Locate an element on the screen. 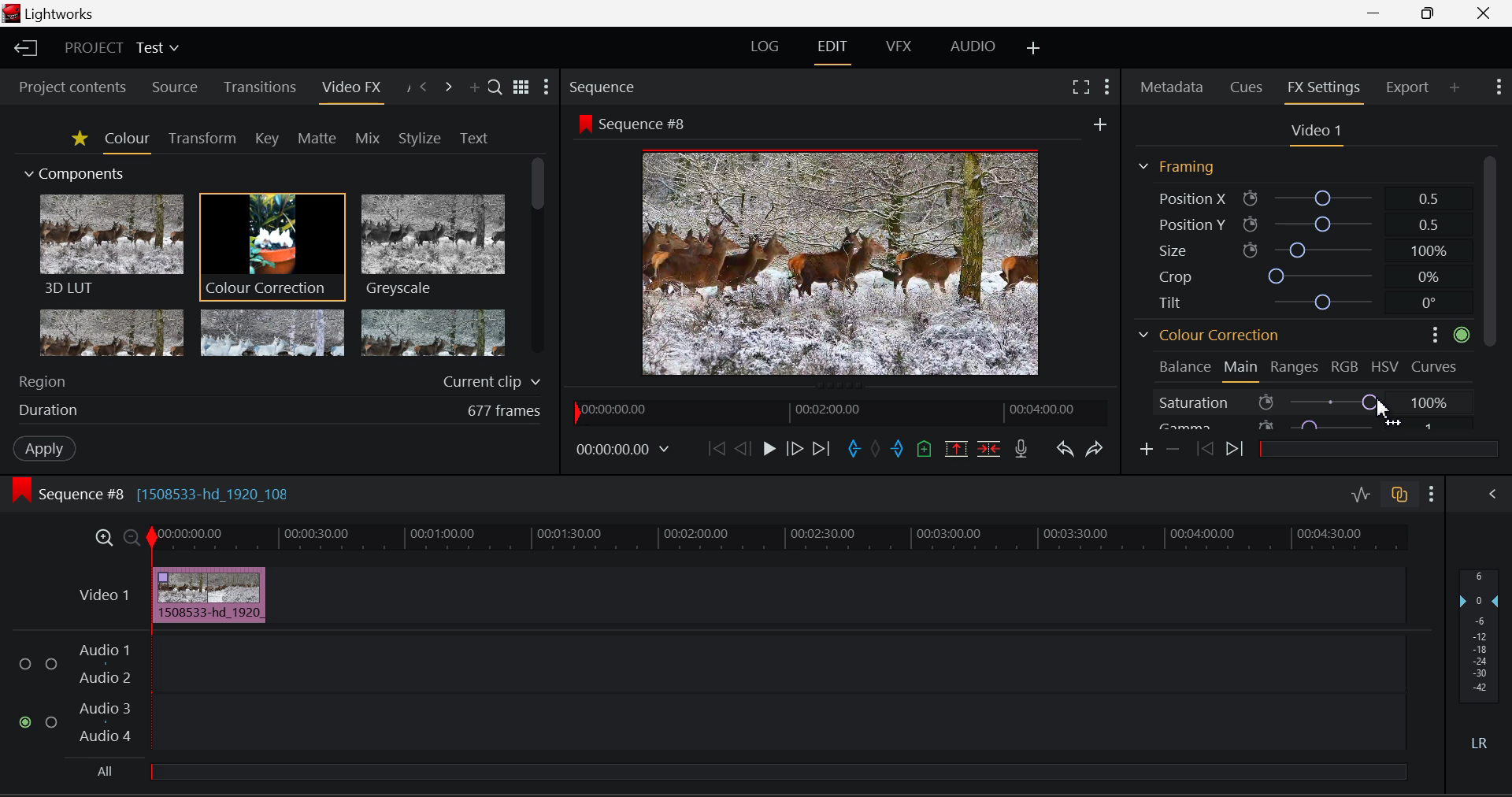 The height and width of the screenshot is (797, 1512). Undo is located at coordinates (1066, 450).